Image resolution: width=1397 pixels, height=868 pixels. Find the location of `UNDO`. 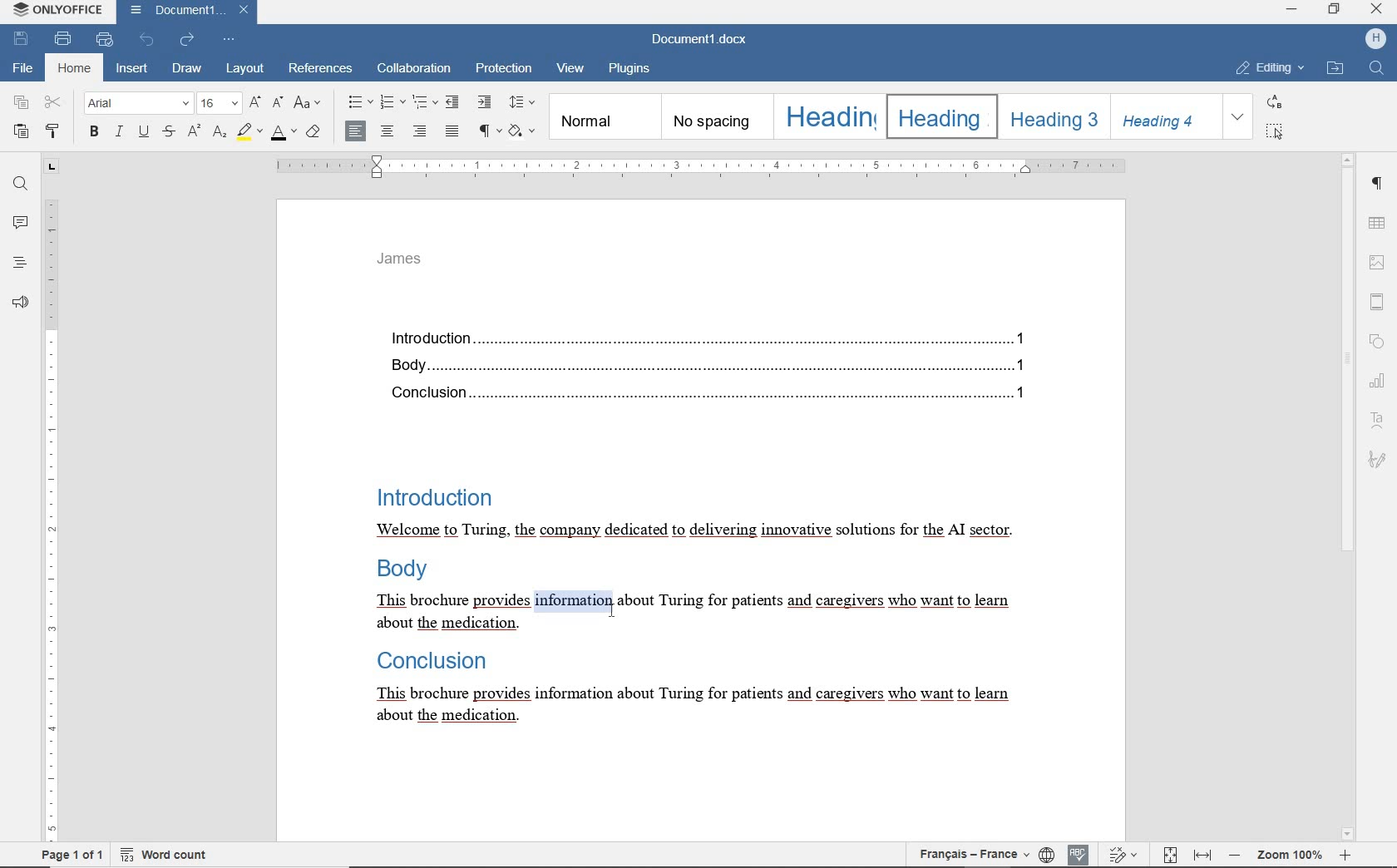

UNDO is located at coordinates (146, 39).